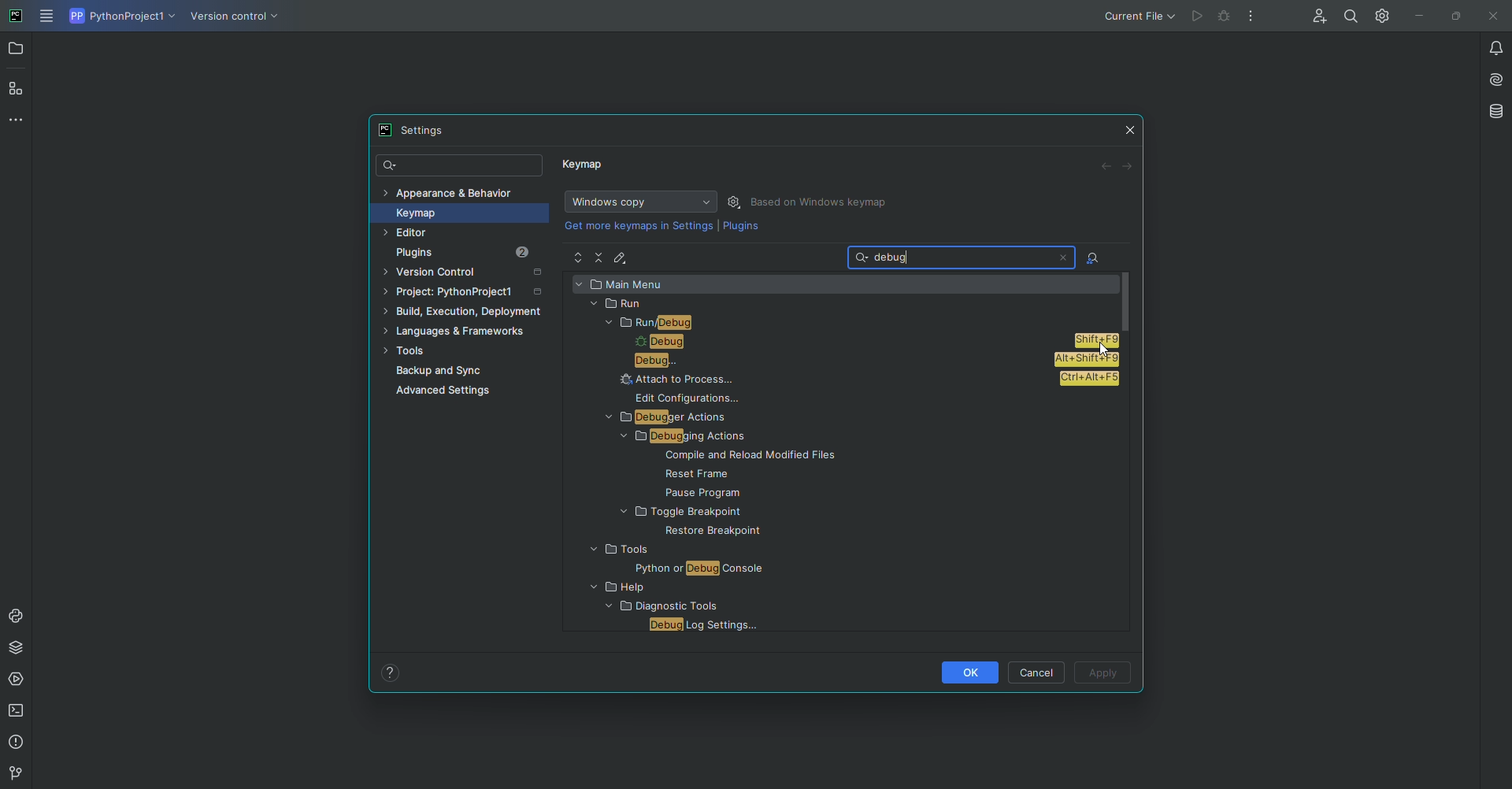 This screenshot has height=789, width=1512. Describe the element at coordinates (238, 19) in the screenshot. I see `Version COntrol` at that location.